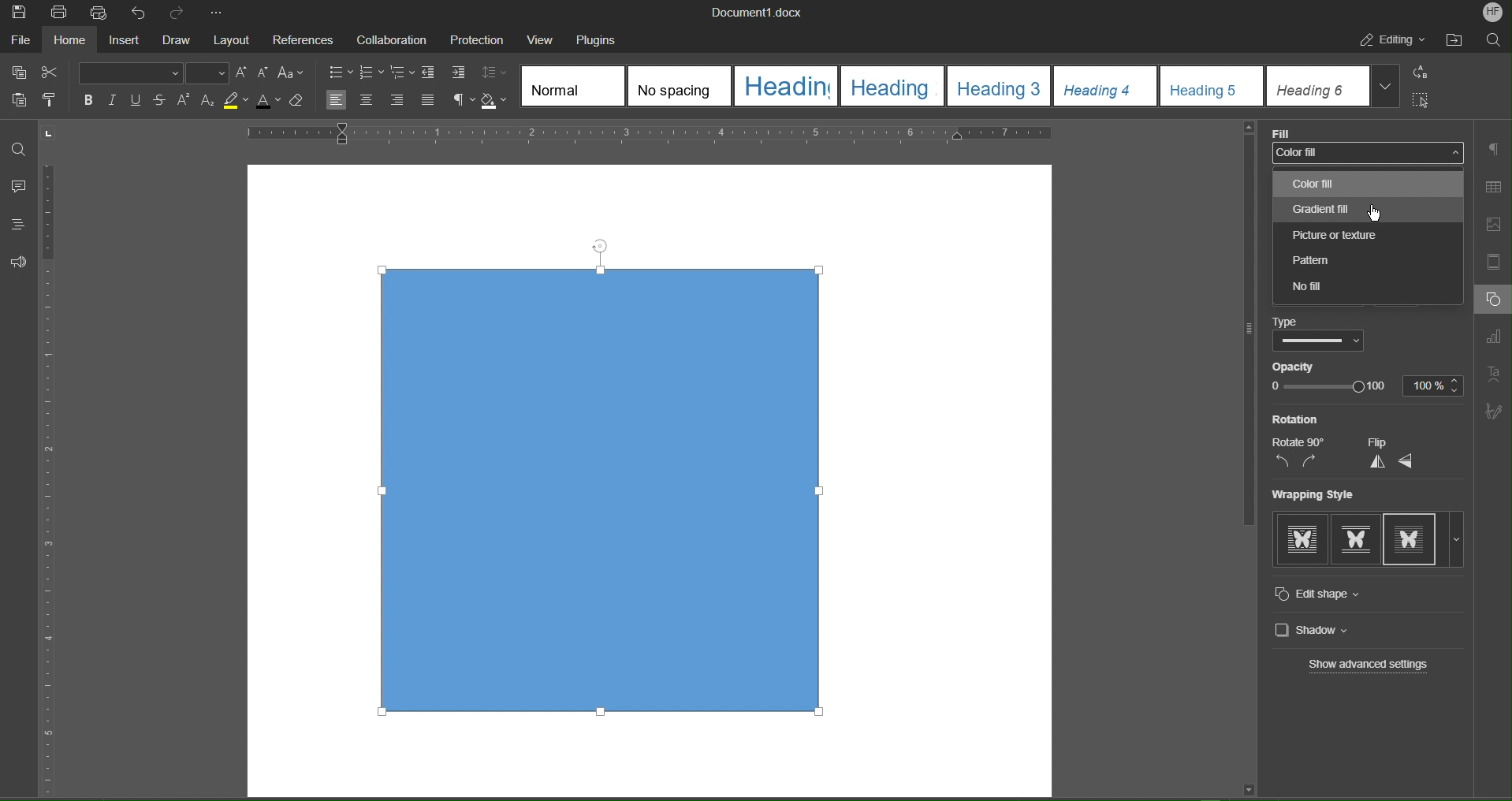  What do you see at coordinates (99, 13) in the screenshot?
I see `Quick Print` at bounding box center [99, 13].